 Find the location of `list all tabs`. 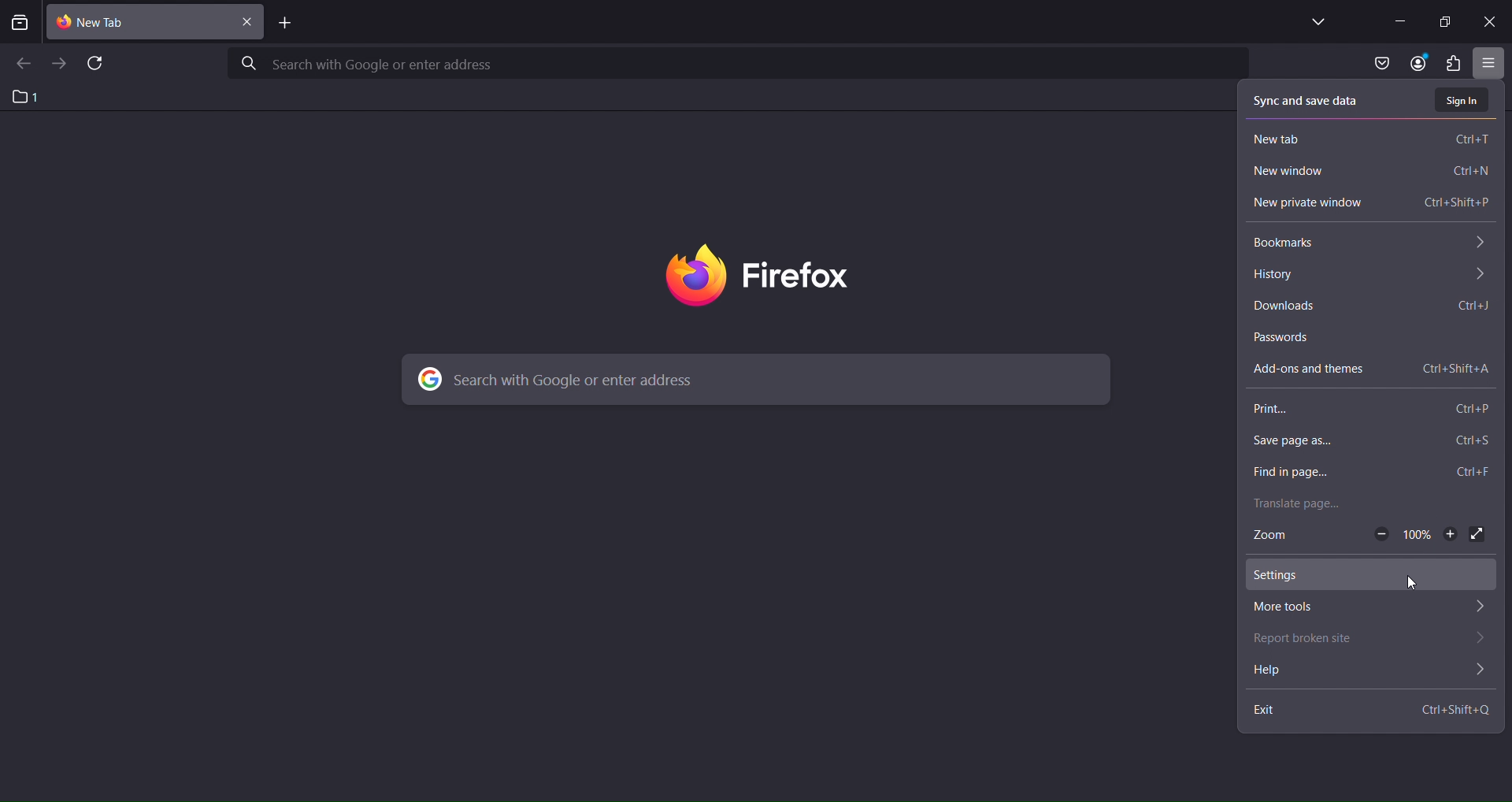

list all tabs is located at coordinates (1315, 22).